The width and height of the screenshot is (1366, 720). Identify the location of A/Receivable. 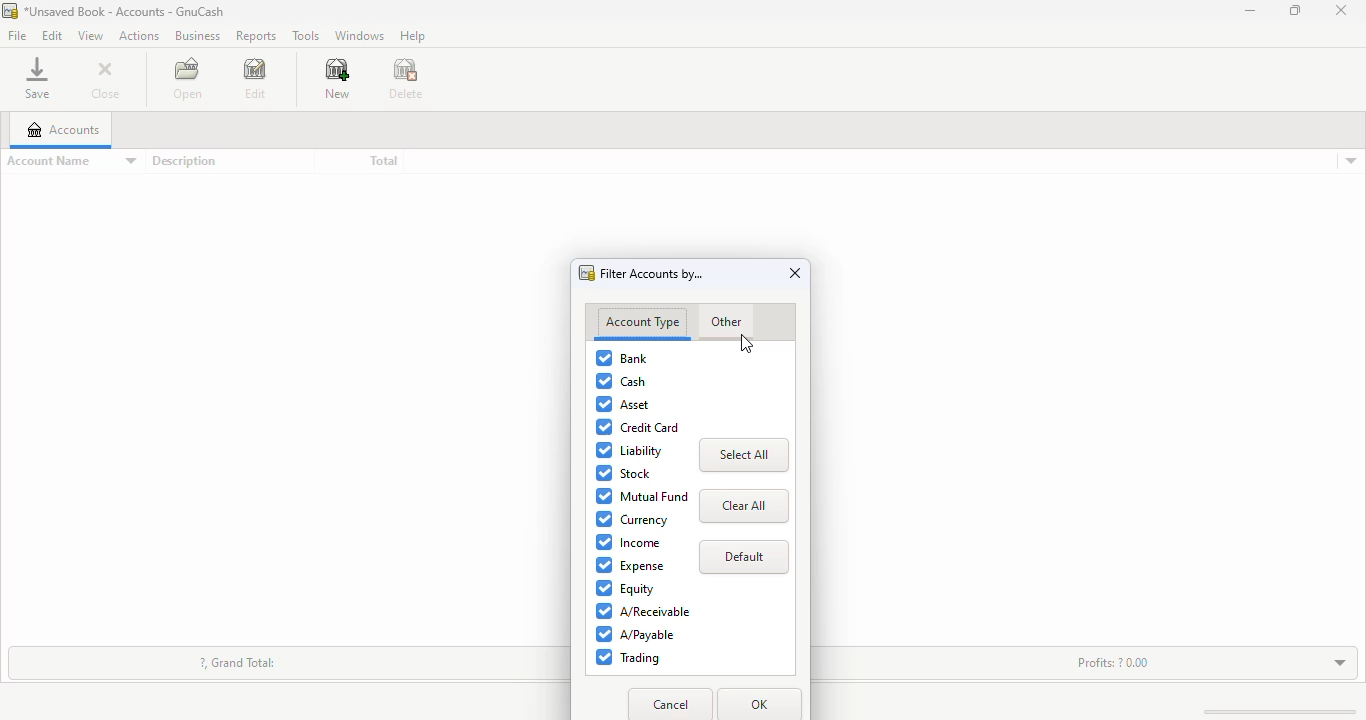
(644, 611).